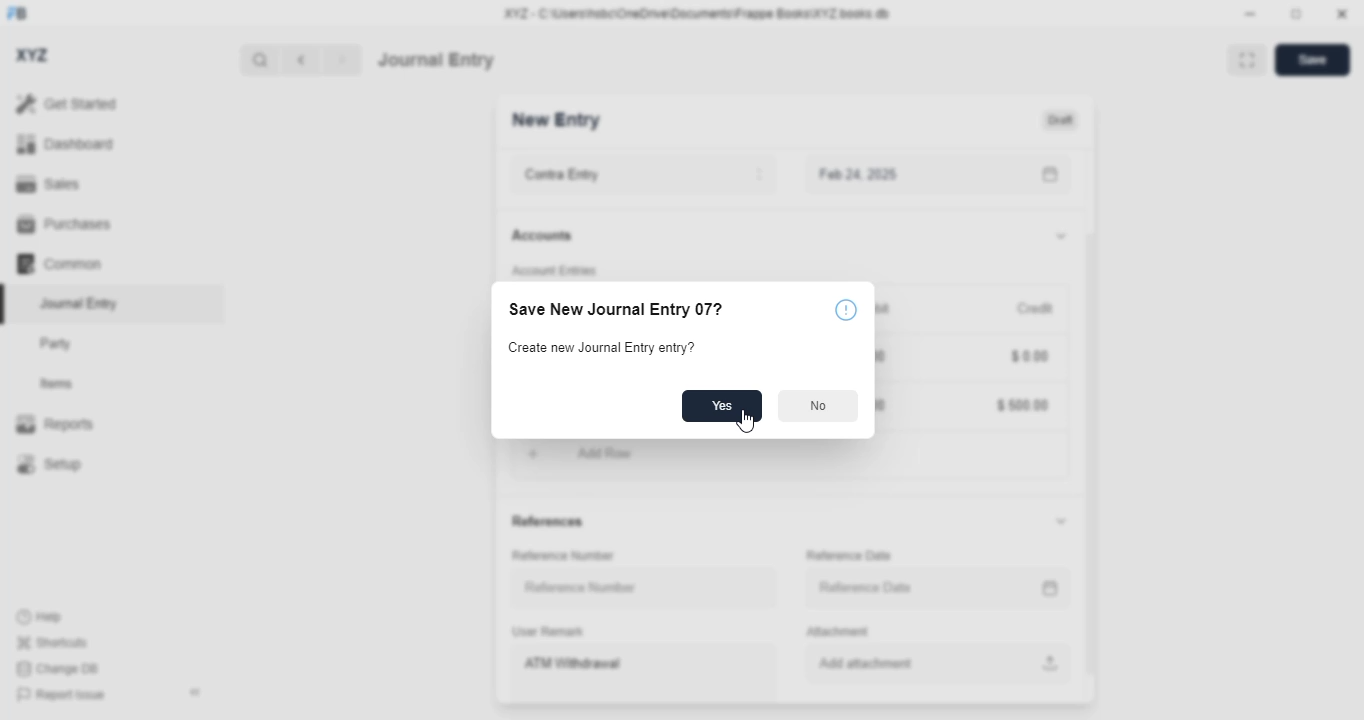 This screenshot has width=1364, height=720. Describe the element at coordinates (894, 175) in the screenshot. I see `feb 24, 2025` at that location.